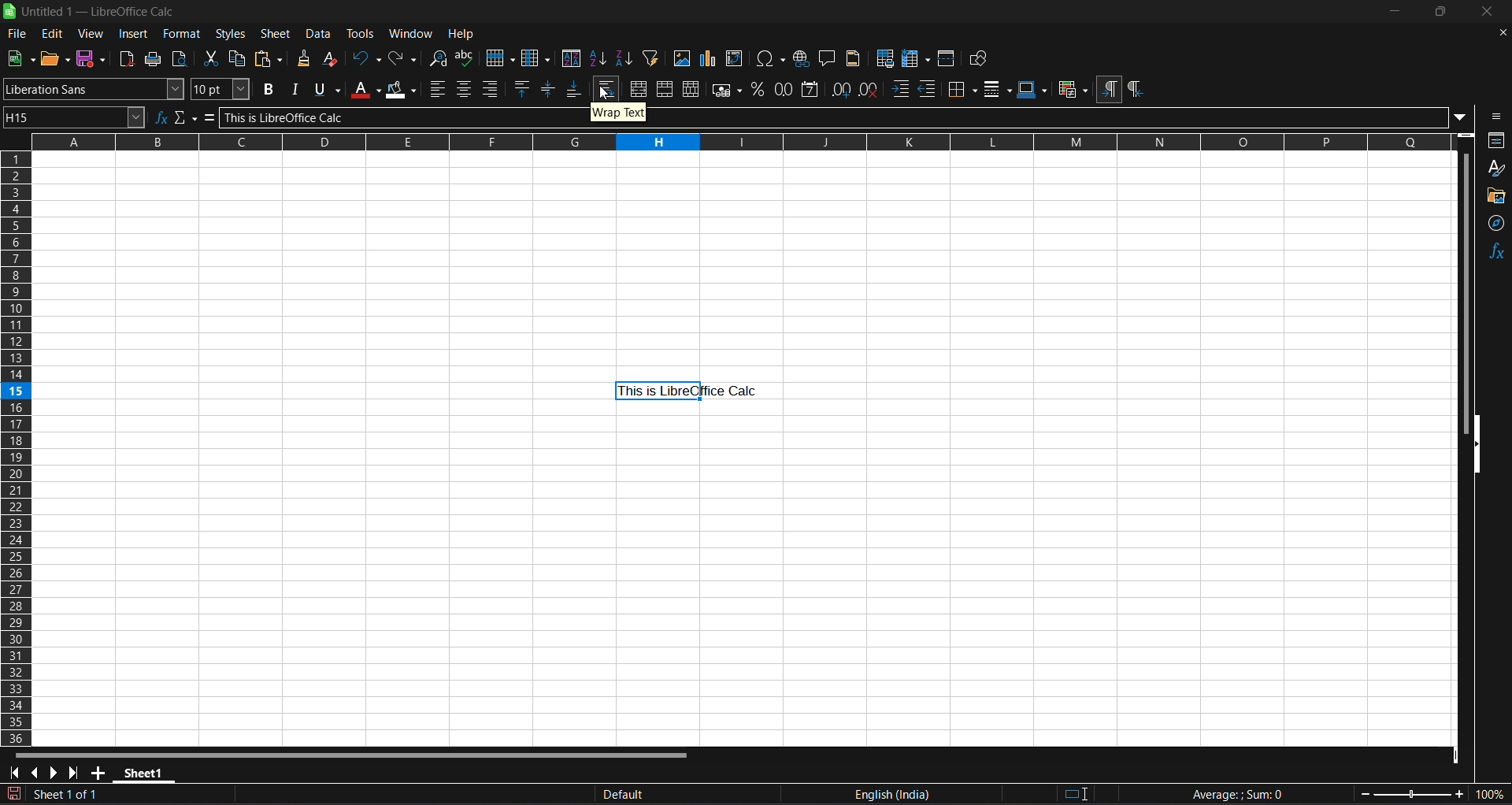 The height and width of the screenshot is (805, 1512). Describe the element at coordinates (709, 57) in the screenshot. I see `insert chart` at that location.